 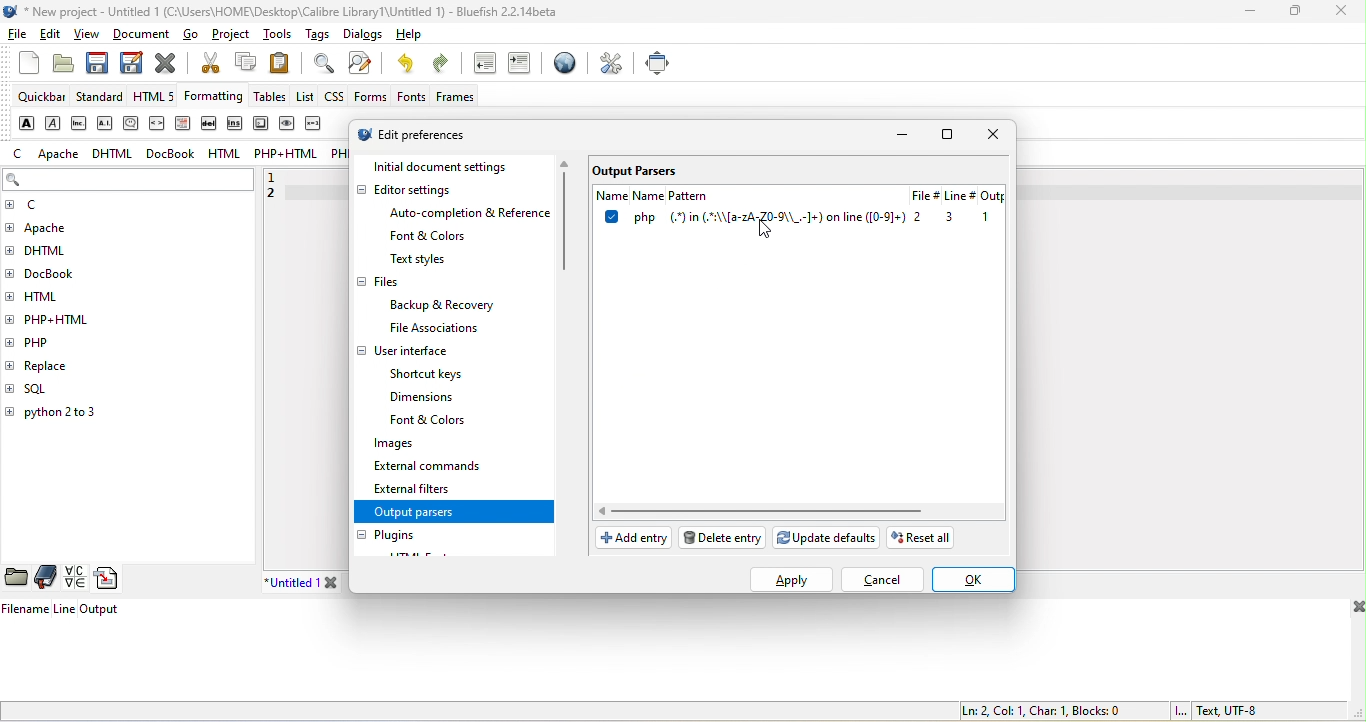 I want to click on maximize, so click(x=1296, y=13).